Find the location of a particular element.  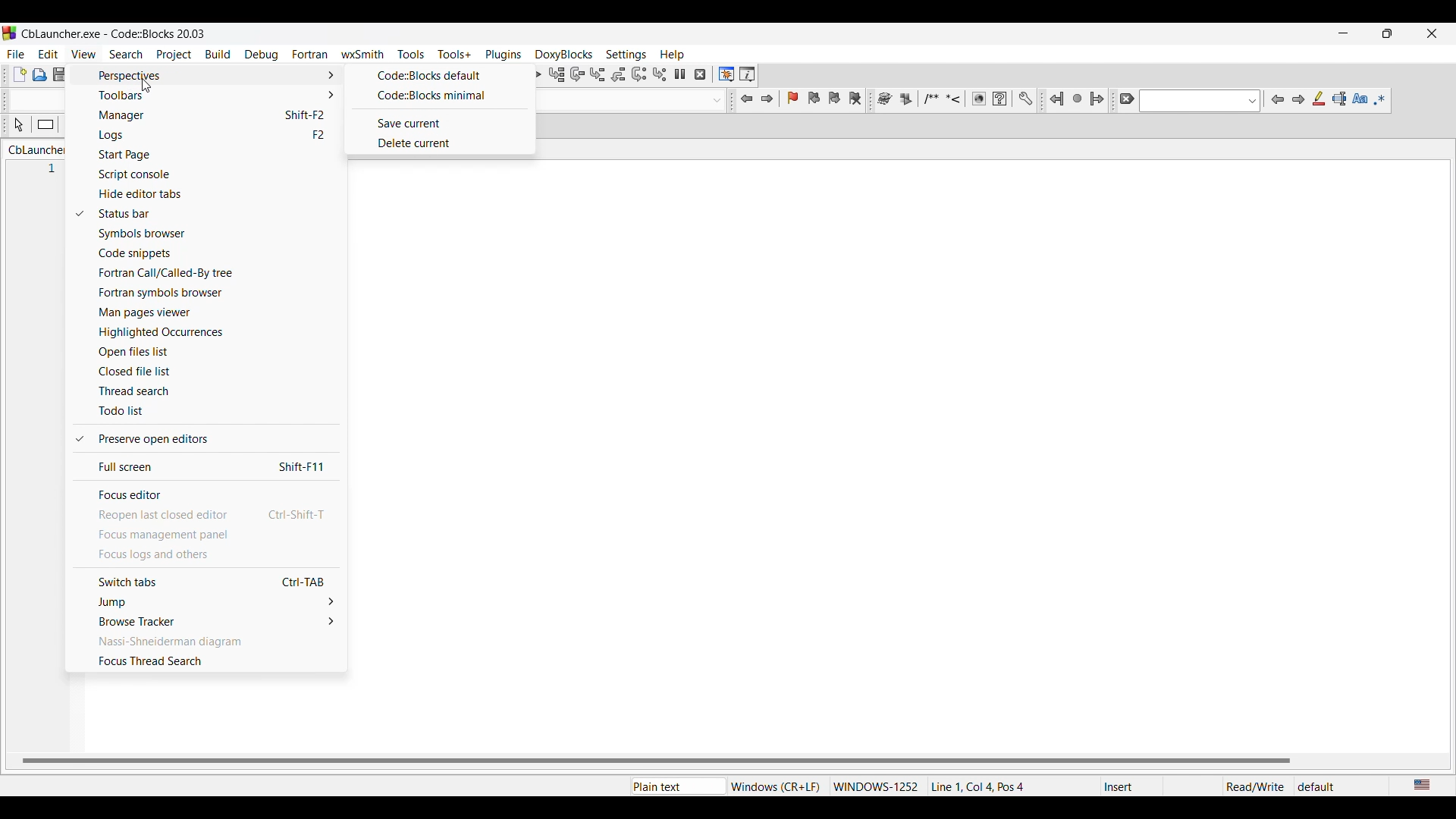

Browse tracker options is located at coordinates (209, 620).